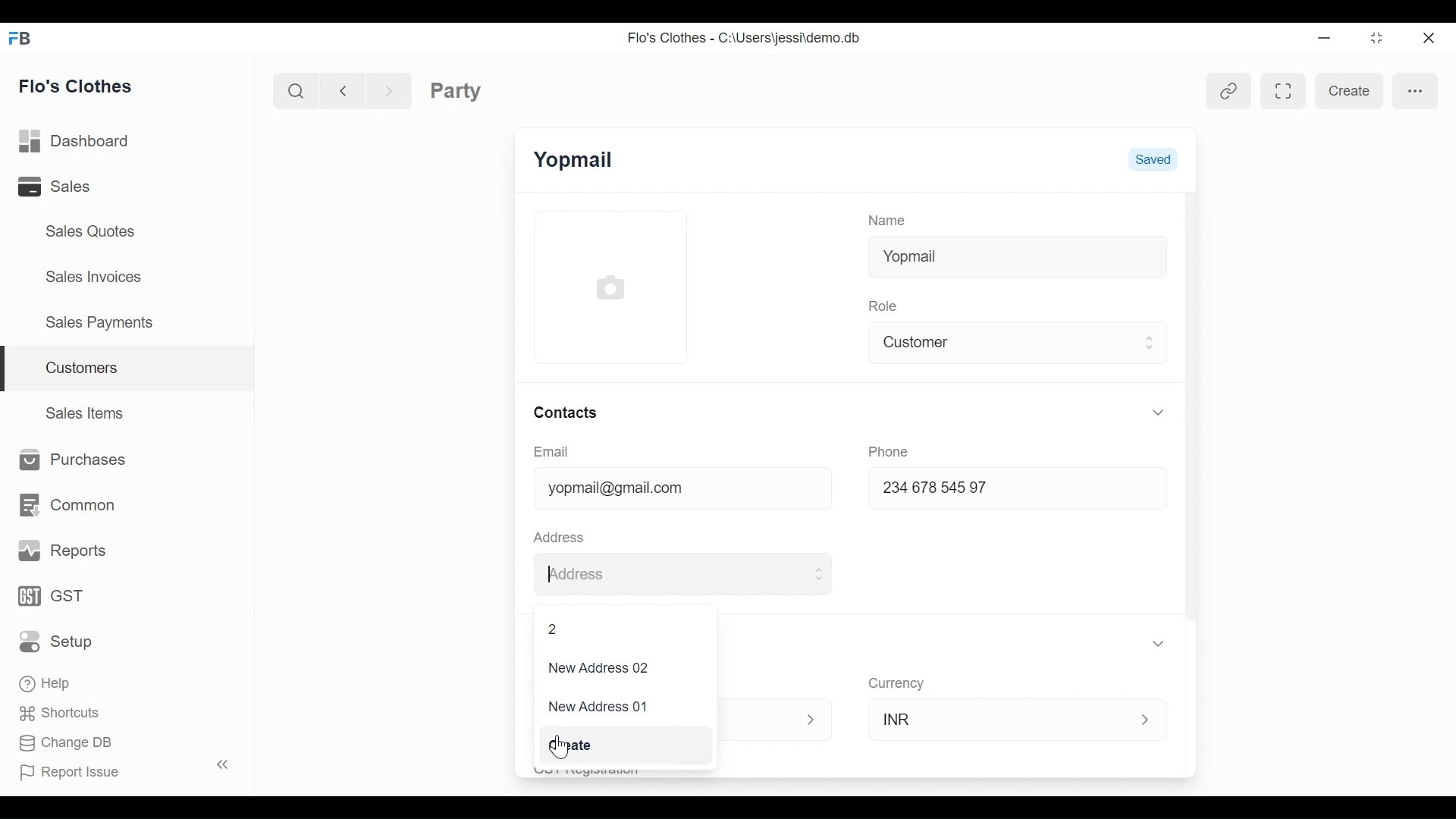 Image resolution: width=1456 pixels, height=819 pixels. Describe the element at coordinates (68, 460) in the screenshot. I see `Purchases` at that location.